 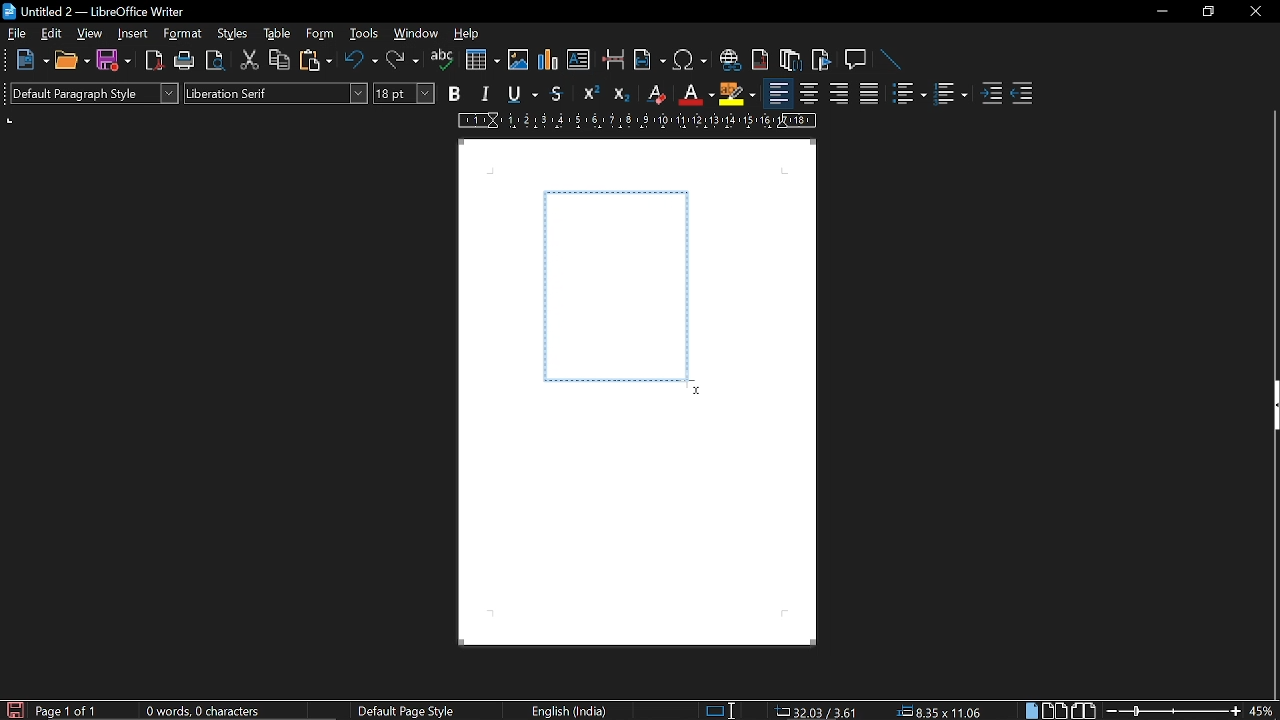 I want to click on insert line, so click(x=886, y=59).